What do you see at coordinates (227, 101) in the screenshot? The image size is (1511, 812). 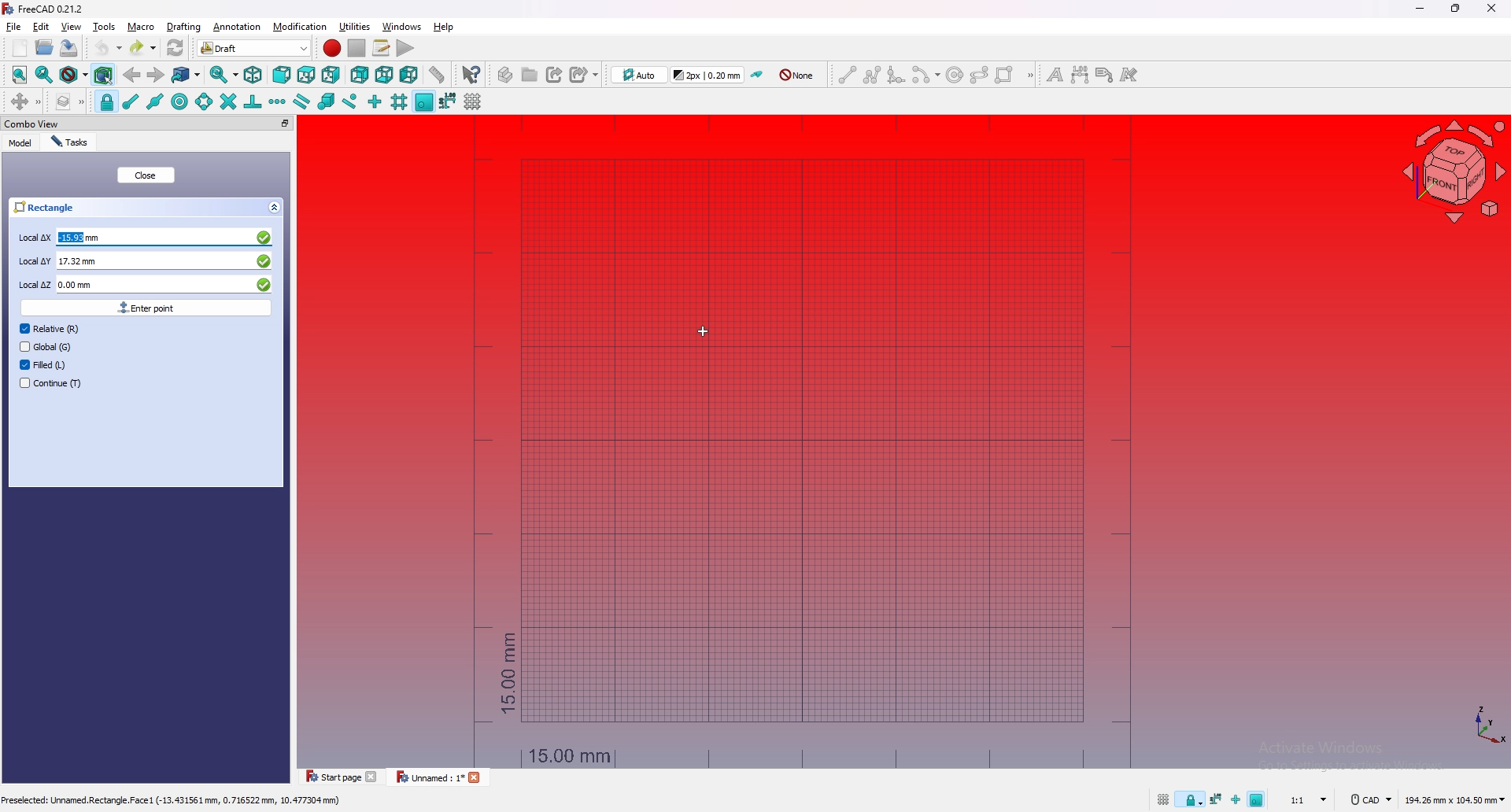 I see `snap intersection` at bounding box center [227, 101].